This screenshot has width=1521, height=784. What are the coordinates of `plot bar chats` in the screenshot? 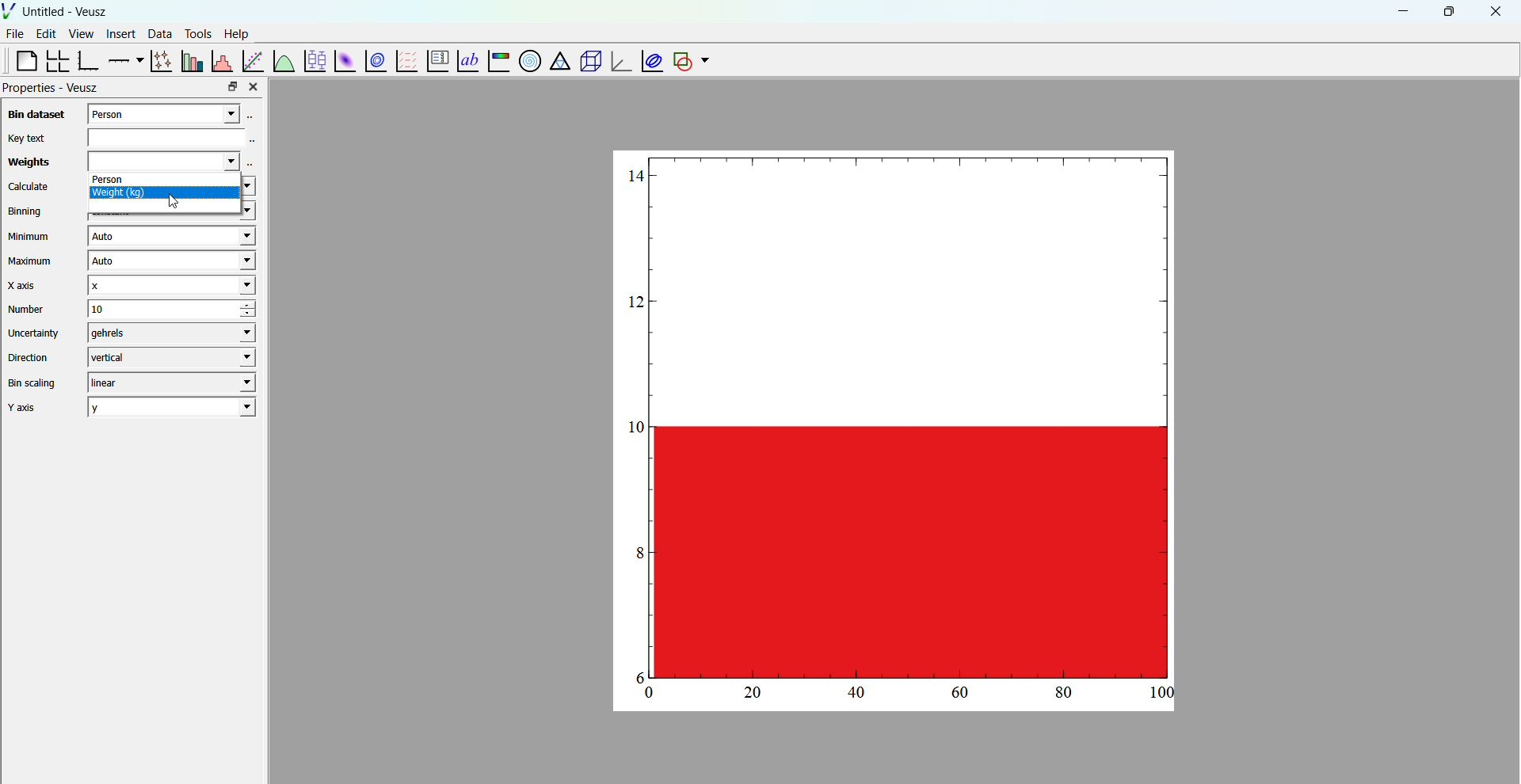 It's located at (190, 61).